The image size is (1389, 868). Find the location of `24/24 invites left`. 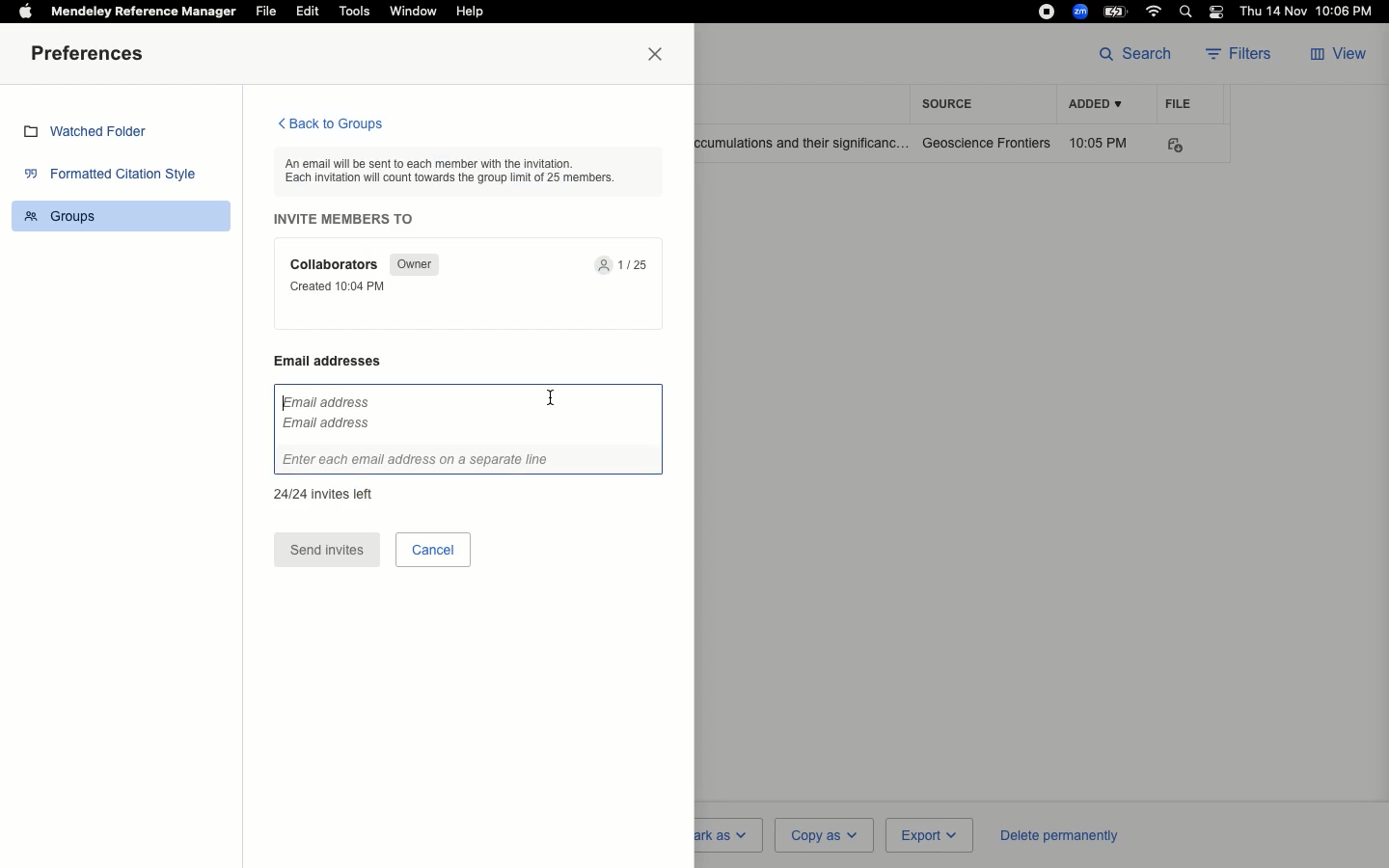

24/24 invites left is located at coordinates (323, 492).